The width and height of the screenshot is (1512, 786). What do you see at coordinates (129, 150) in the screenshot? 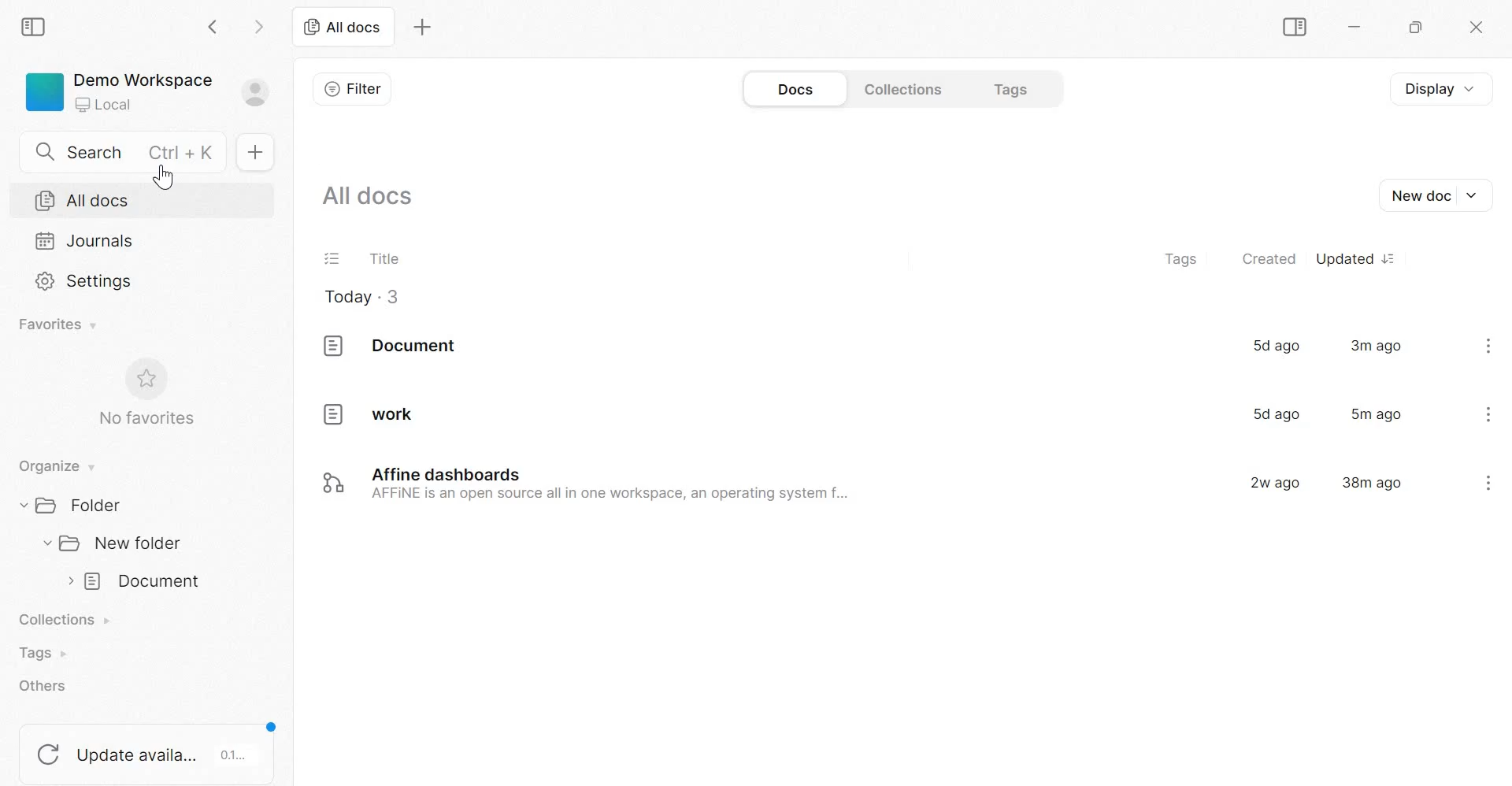
I see `Search` at bounding box center [129, 150].